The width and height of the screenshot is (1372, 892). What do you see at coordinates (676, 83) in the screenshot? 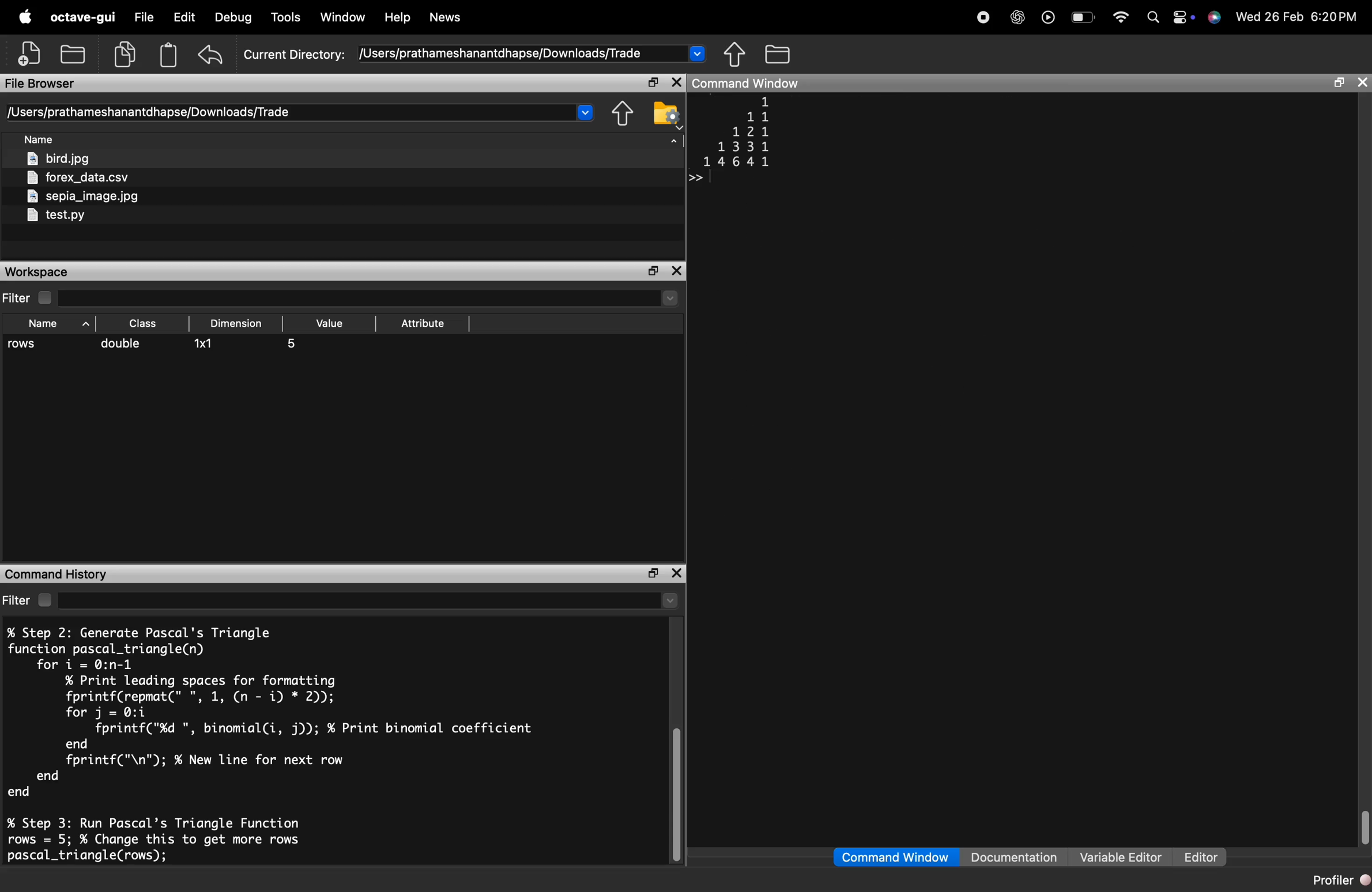
I see `close` at bounding box center [676, 83].